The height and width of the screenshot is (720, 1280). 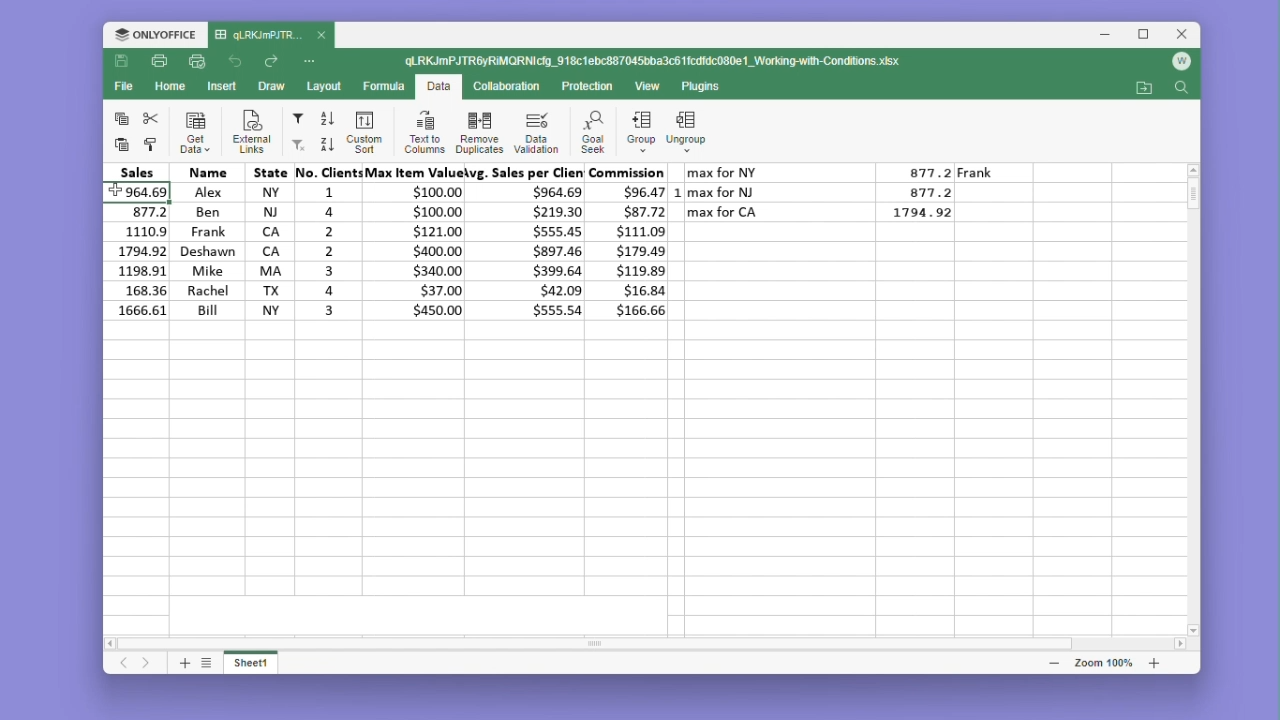 What do you see at coordinates (612, 646) in the screenshot?
I see `scroll bar` at bounding box center [612, 646].